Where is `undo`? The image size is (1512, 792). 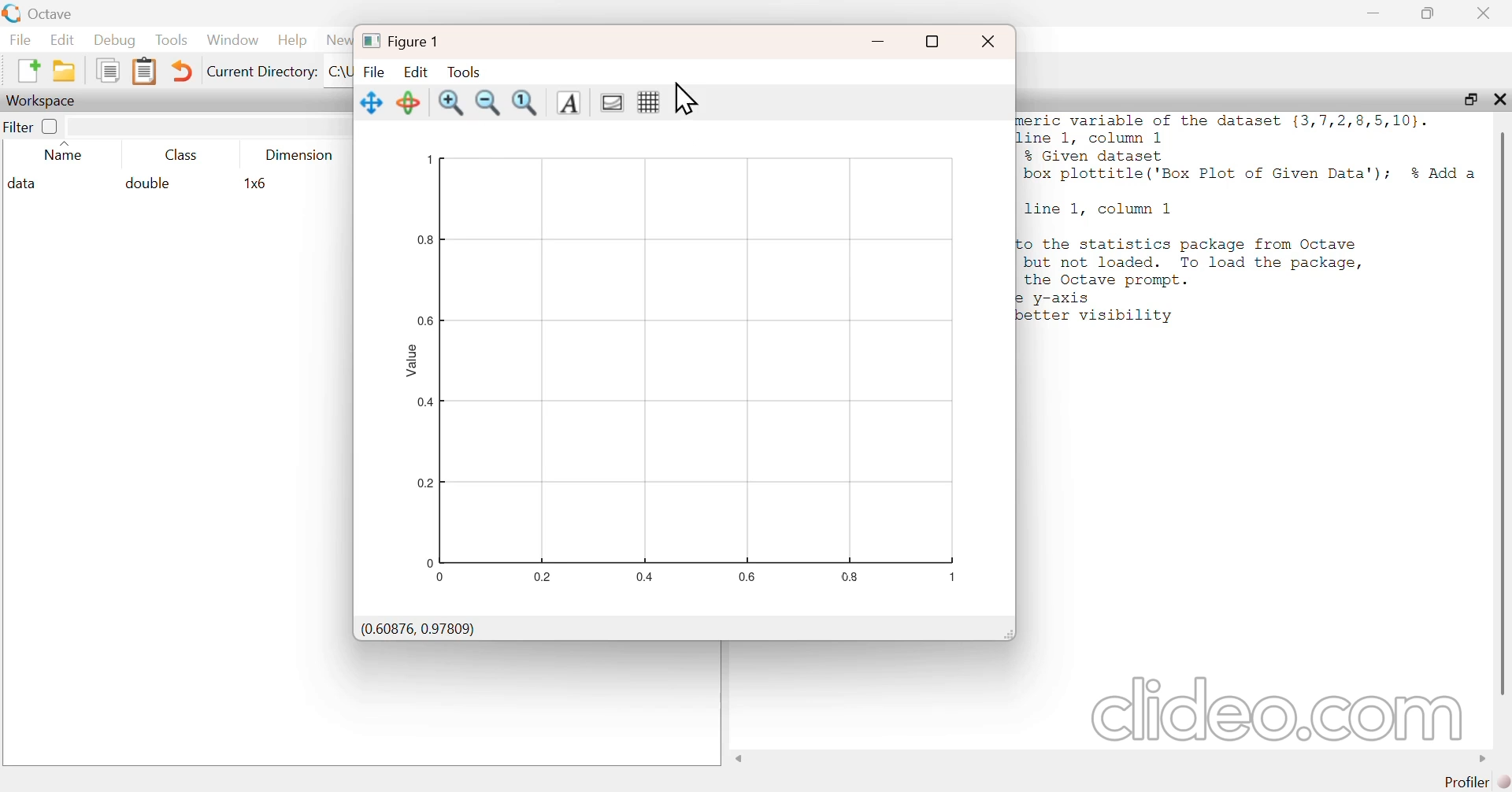
undo is located at coordinates (186, 69).